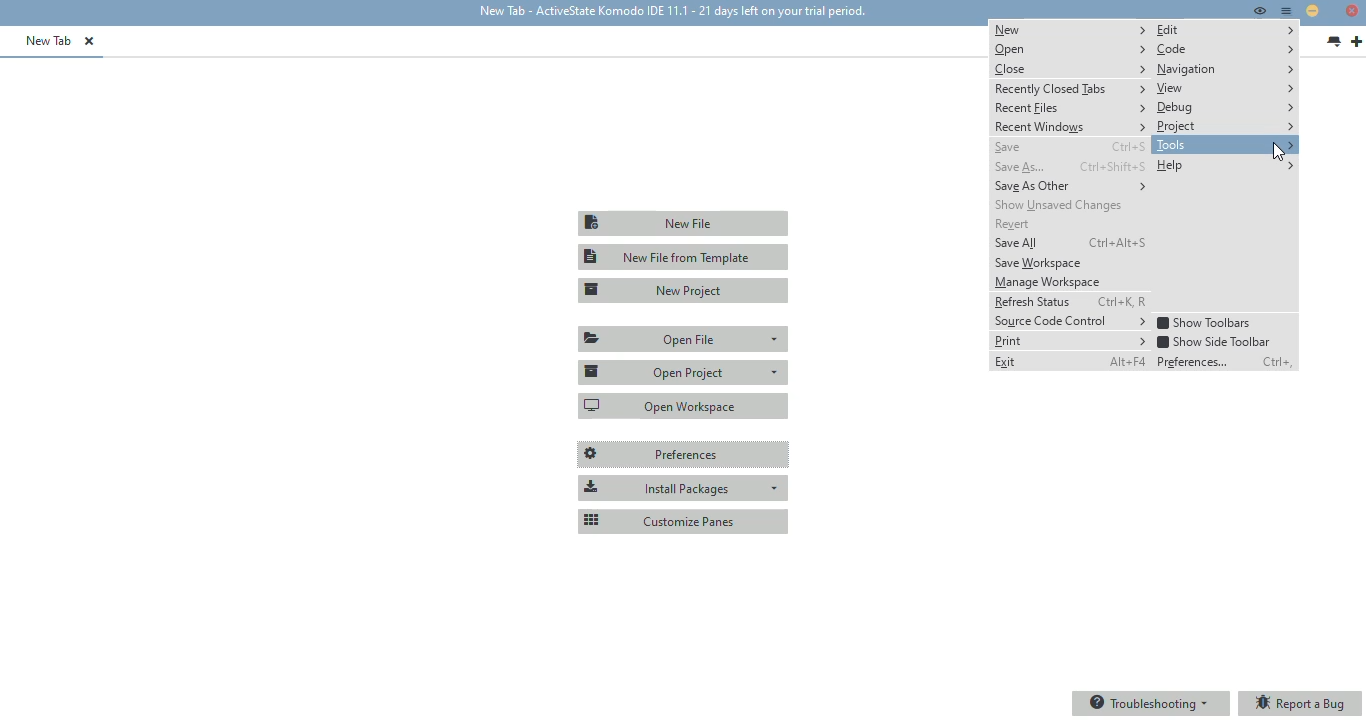 The width and height of the screenshot is (1366, 720). Describe the element at coordinates (1334, 42) in the screenshot. I see `list all tabs` at that location.